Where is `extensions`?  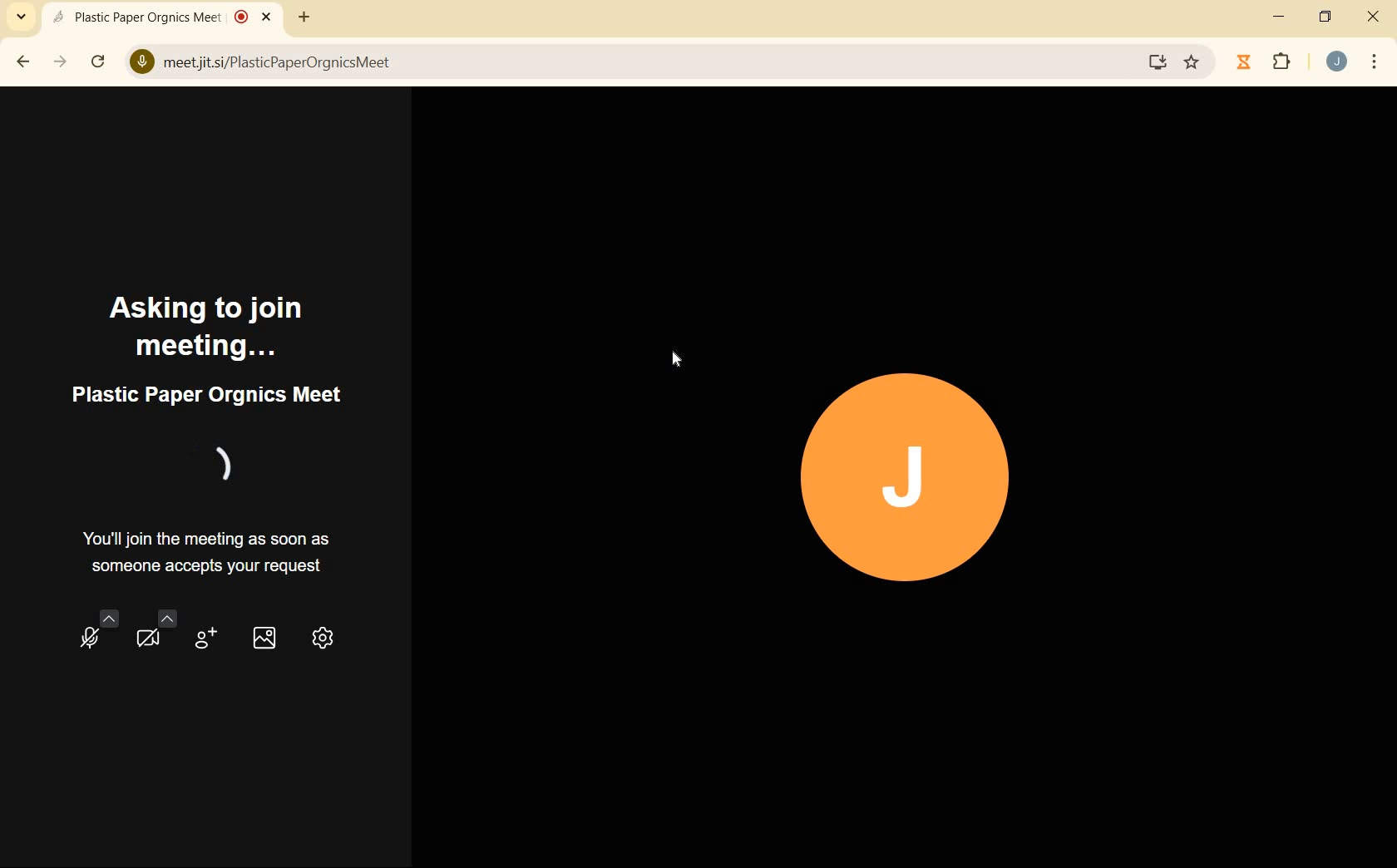
extensions is located at coordinates (1282, 63).